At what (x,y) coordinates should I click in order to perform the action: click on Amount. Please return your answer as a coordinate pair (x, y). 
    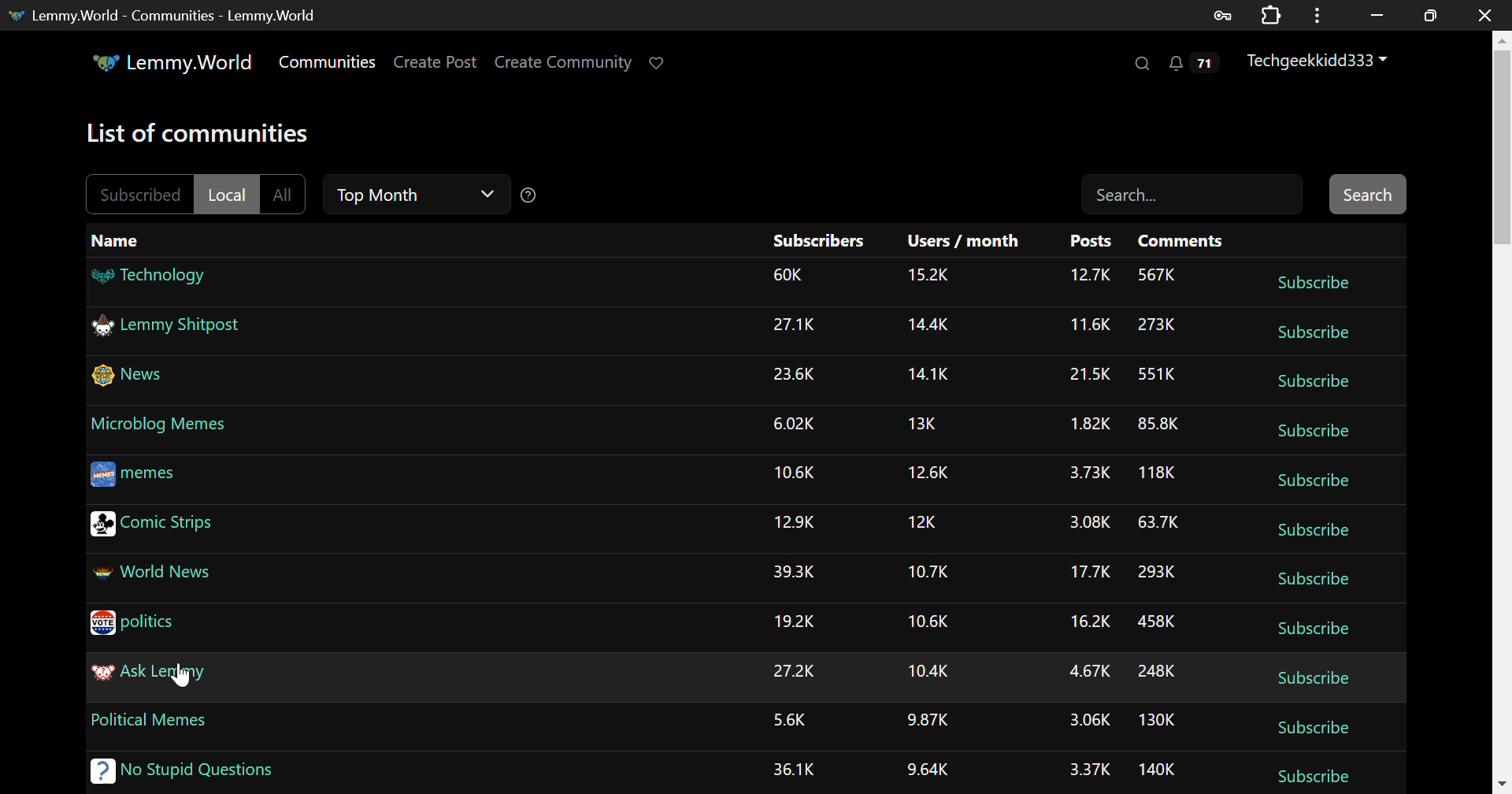
    Looking at the image, I should click on (1088, 425).